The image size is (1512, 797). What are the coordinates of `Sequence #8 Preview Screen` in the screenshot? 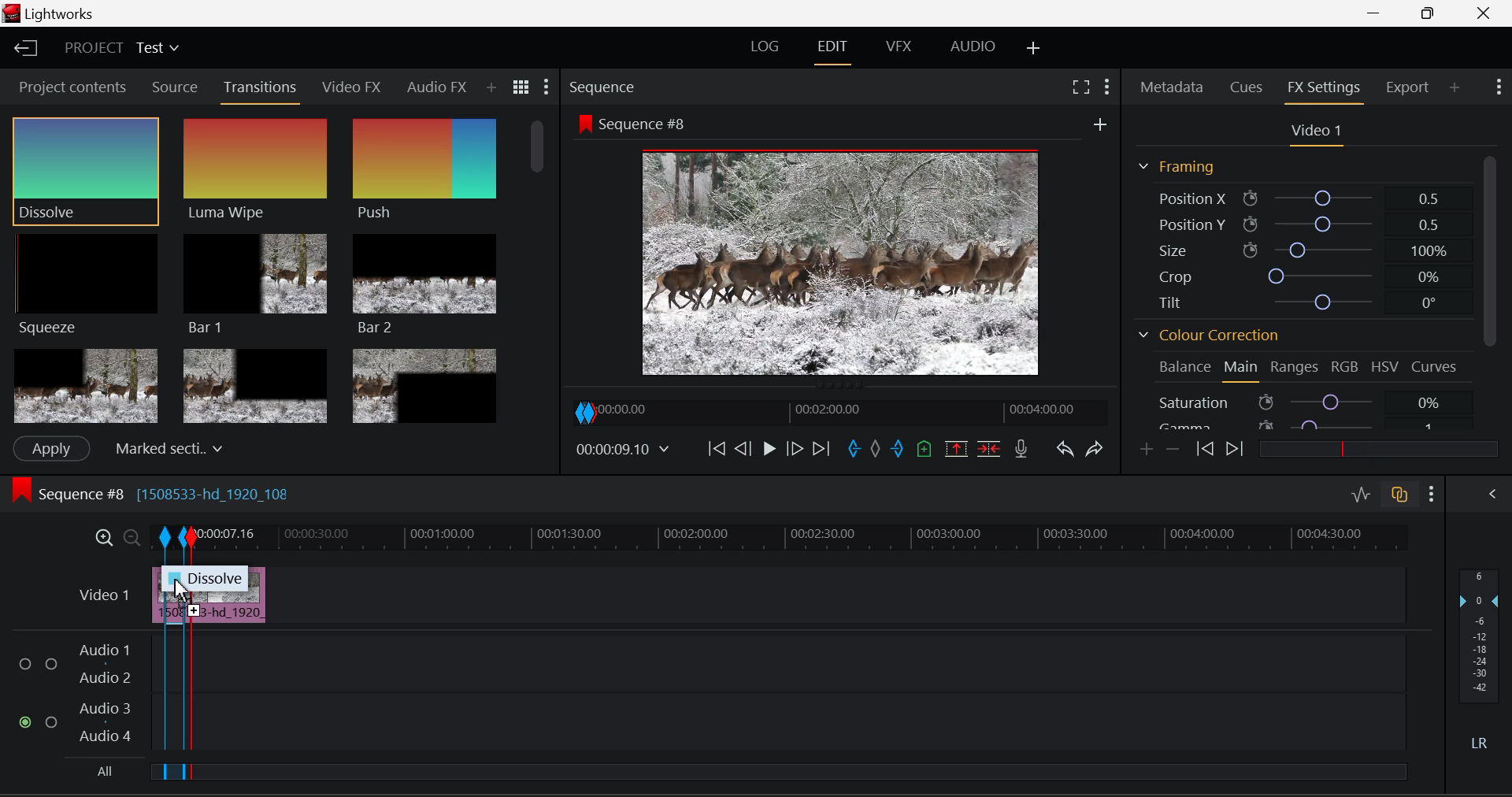 It's located at (841, 246).